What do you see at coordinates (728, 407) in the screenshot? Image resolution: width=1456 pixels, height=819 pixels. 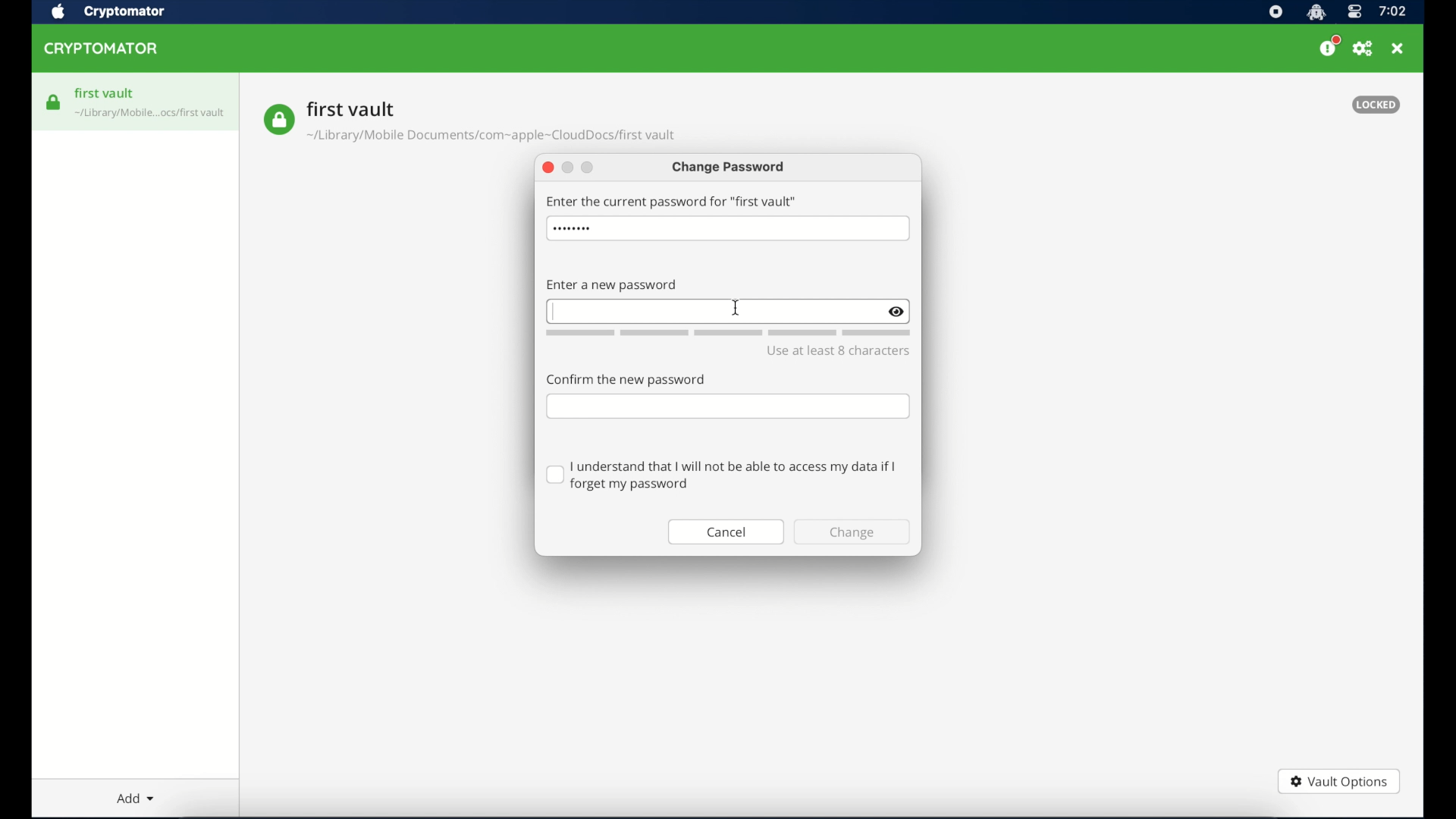 I see `confirm password field` at bounding box center [728, 407].